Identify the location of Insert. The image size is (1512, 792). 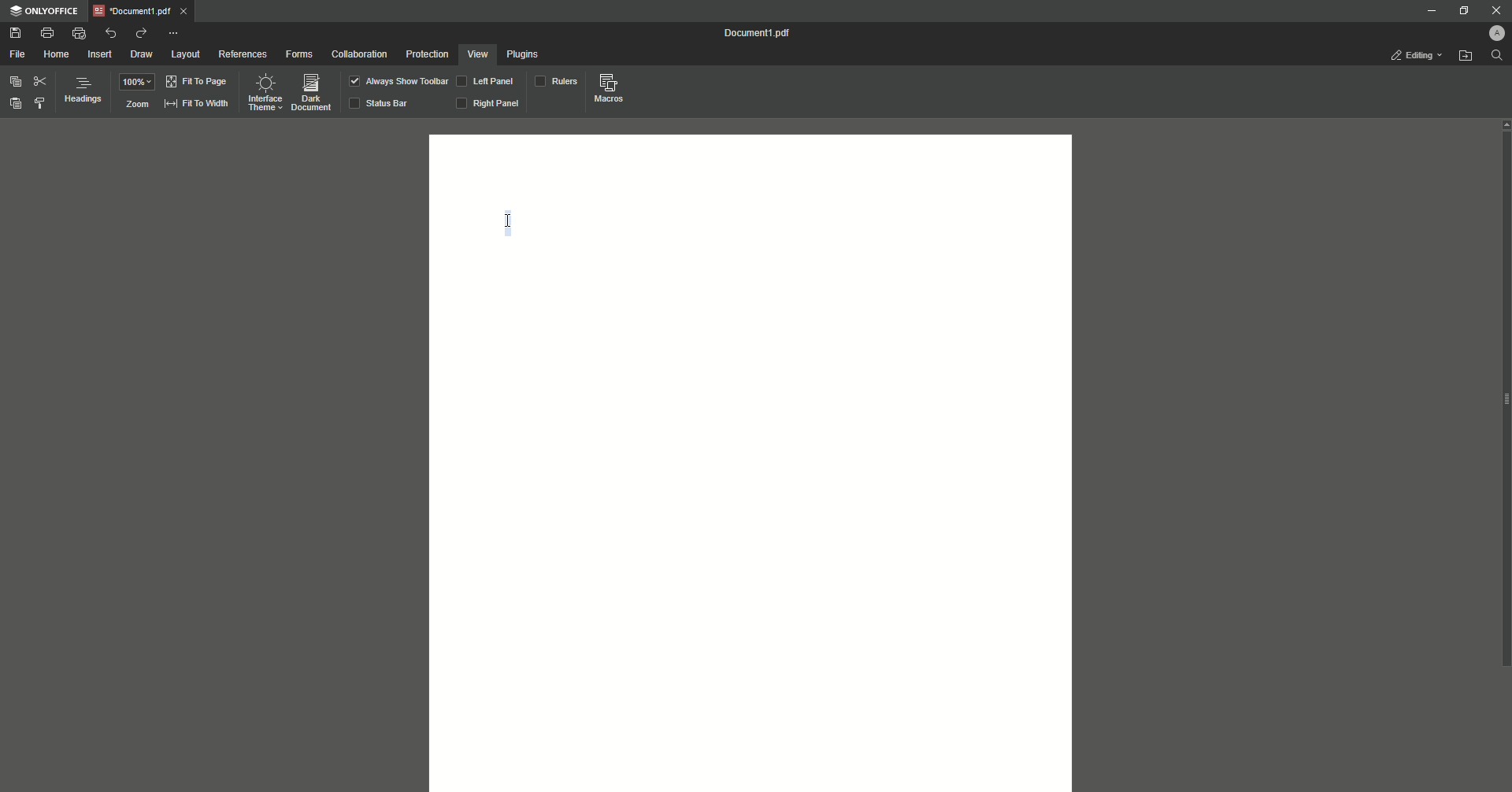
(100, 54).